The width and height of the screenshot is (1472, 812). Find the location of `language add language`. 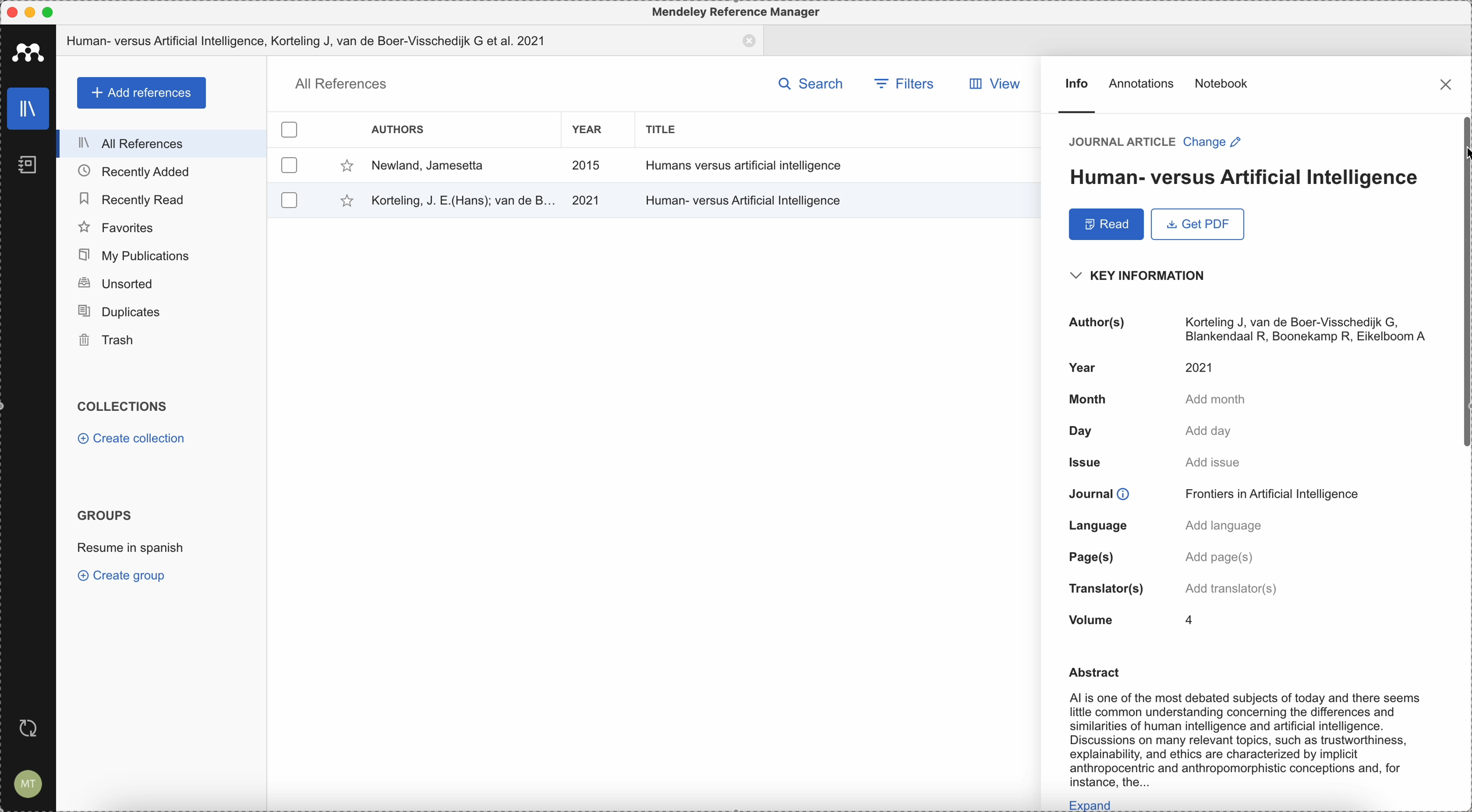

language add language is located at coordinates (1166, 526).